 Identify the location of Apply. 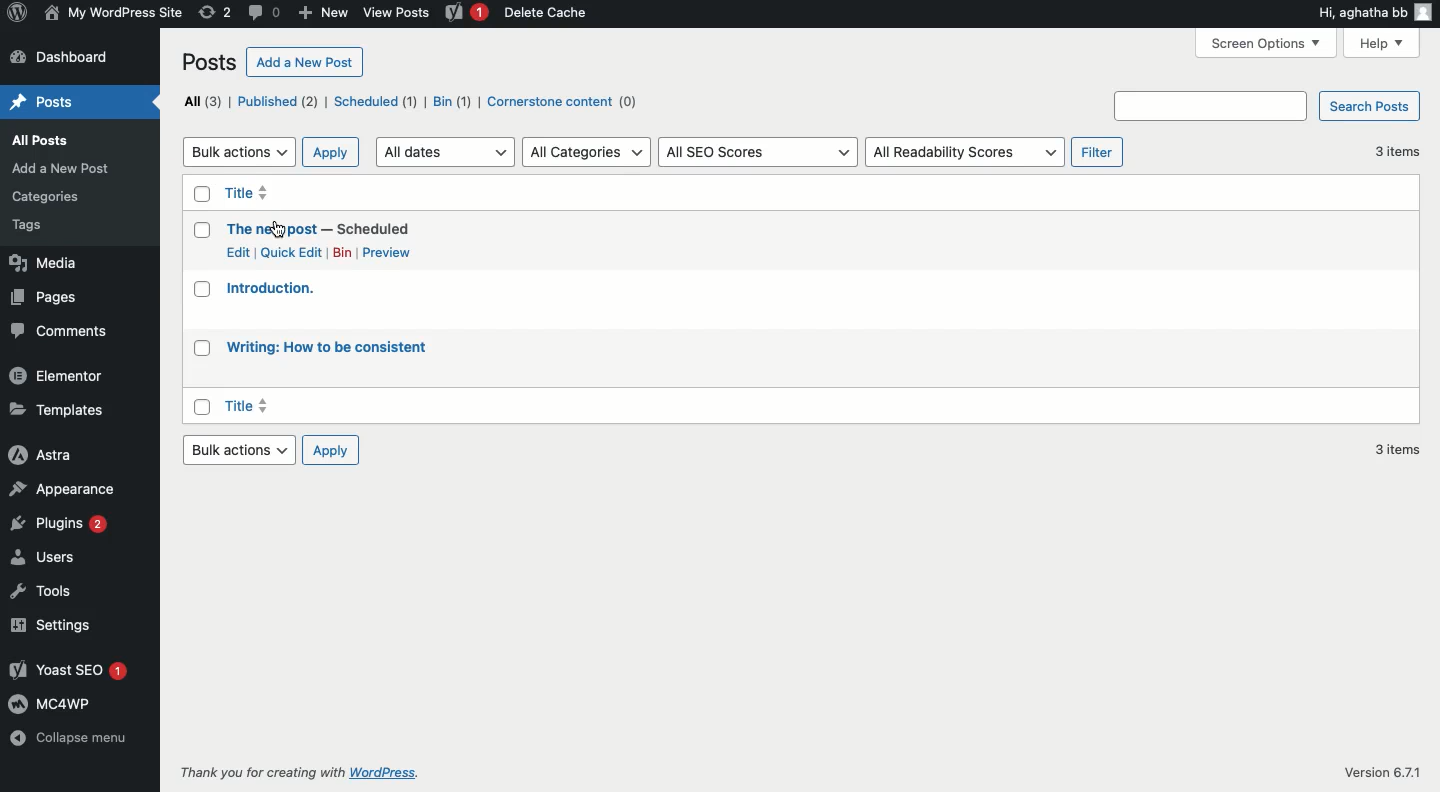
(332, 152).